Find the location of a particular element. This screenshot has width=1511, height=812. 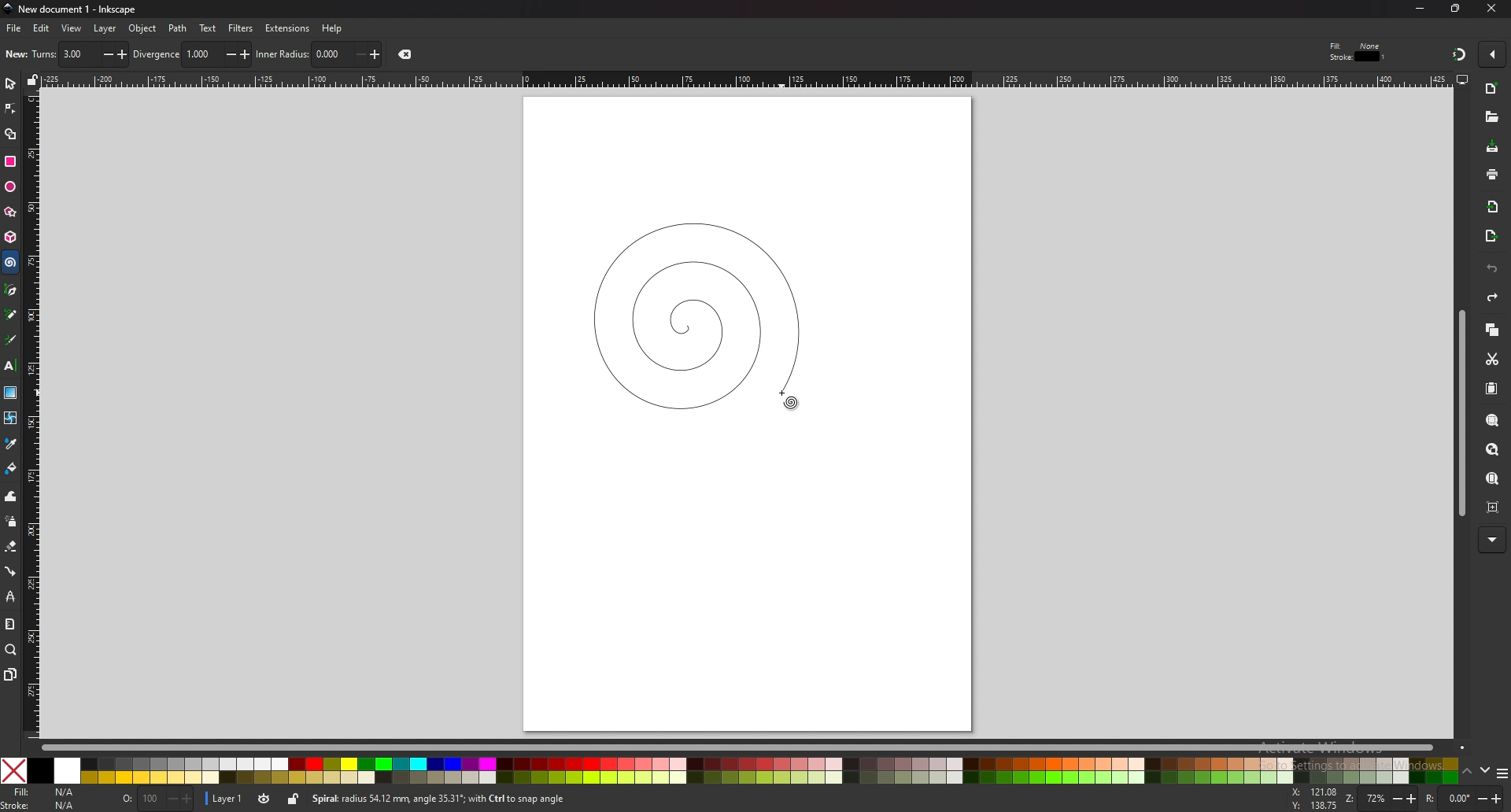

print is located at coordinates (1491, 174).